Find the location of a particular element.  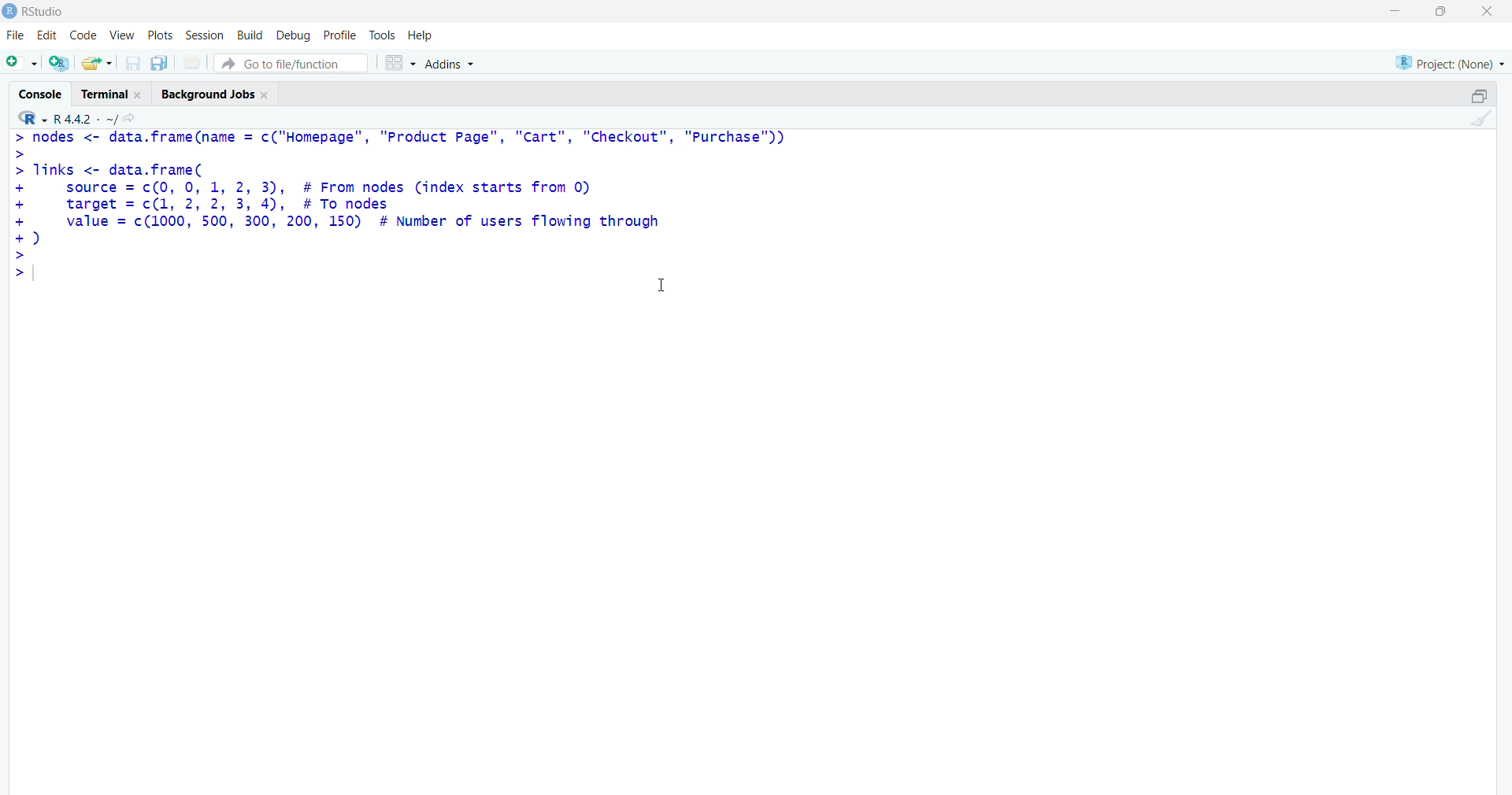

copy is located at coordinates (1468, 93).